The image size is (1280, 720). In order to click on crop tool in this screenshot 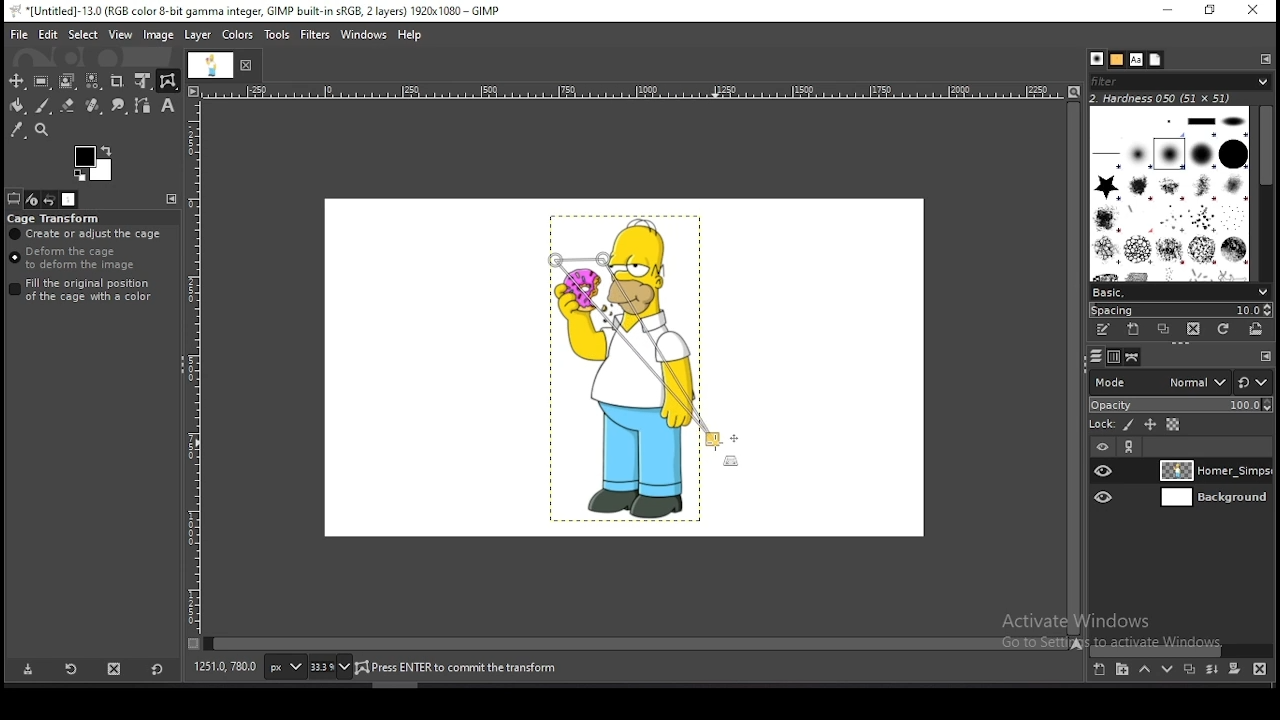, I will do `click(119, 81)`.